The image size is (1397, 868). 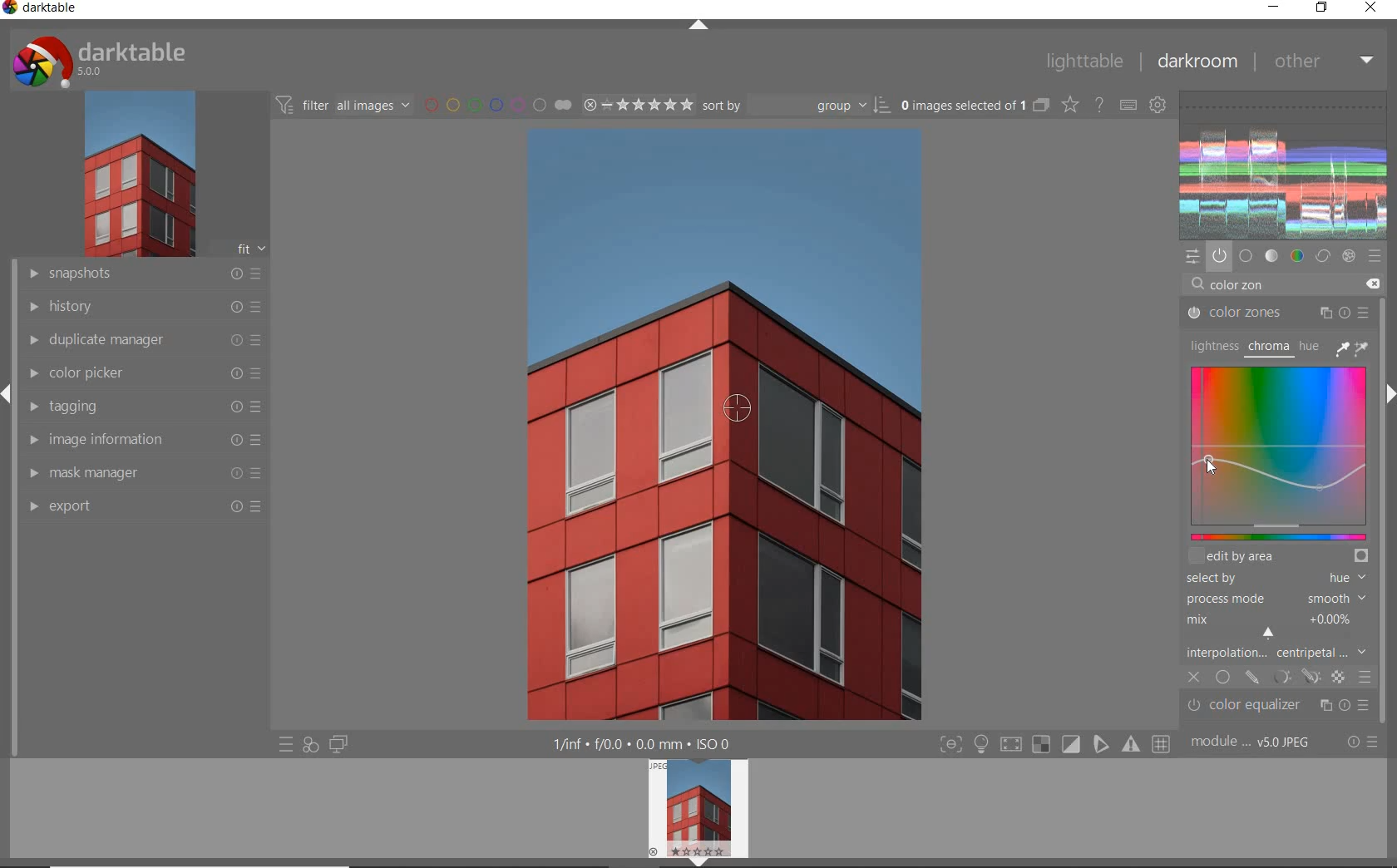 I want to click on shadow, so click(x=1009, y=745).